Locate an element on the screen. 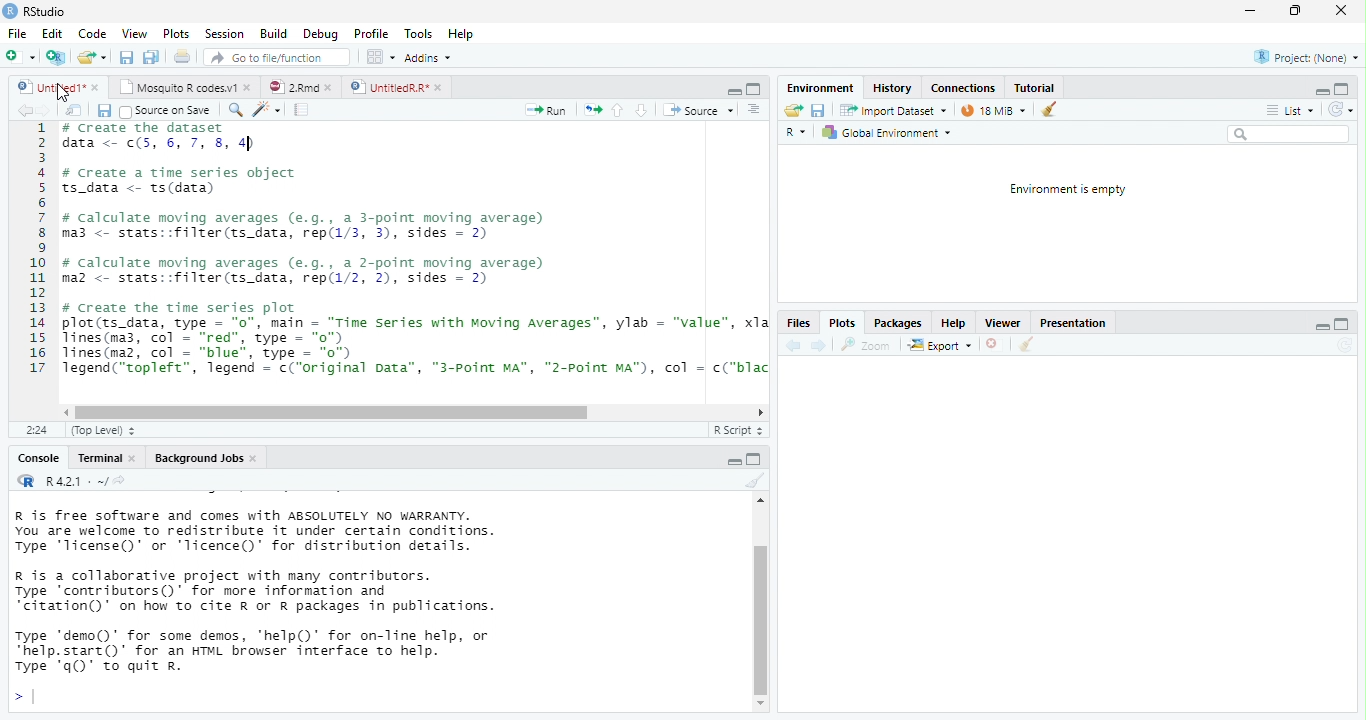  Plots is located at coordinates (840, 325).